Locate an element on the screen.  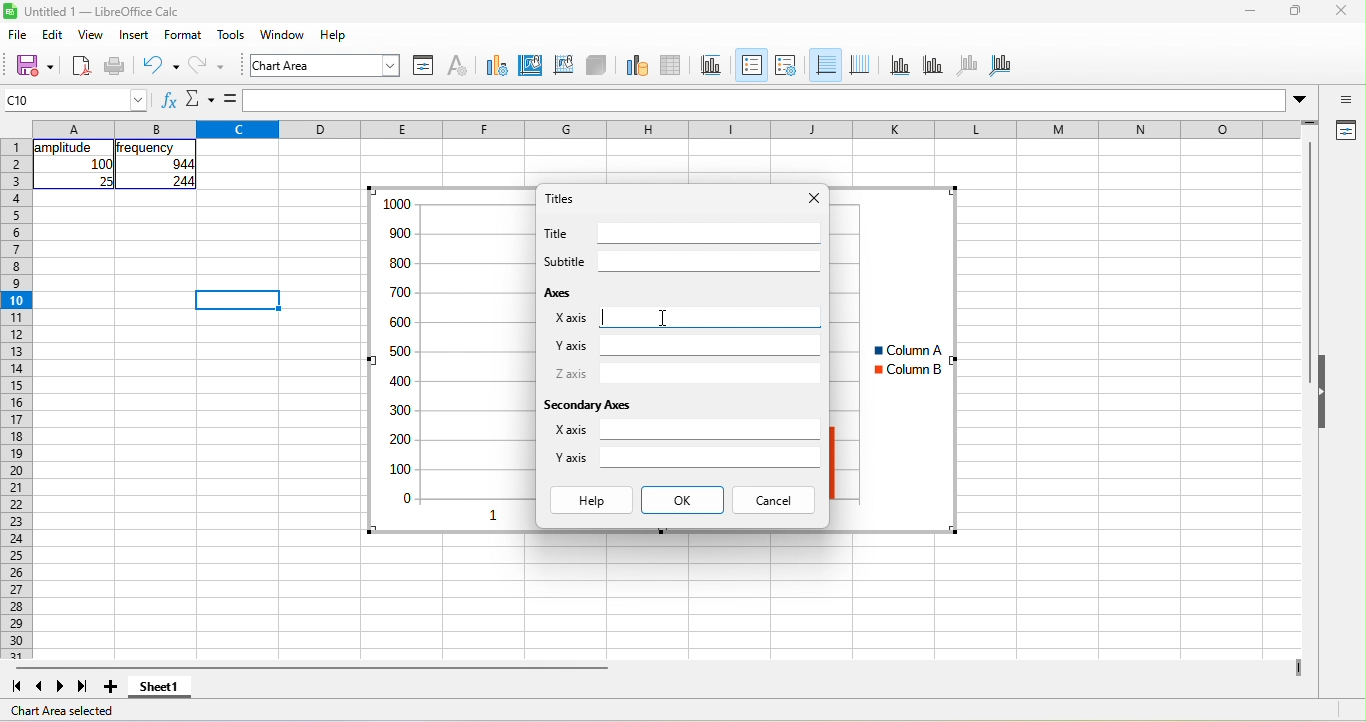
Y axis is located at coordinates (571, 457).